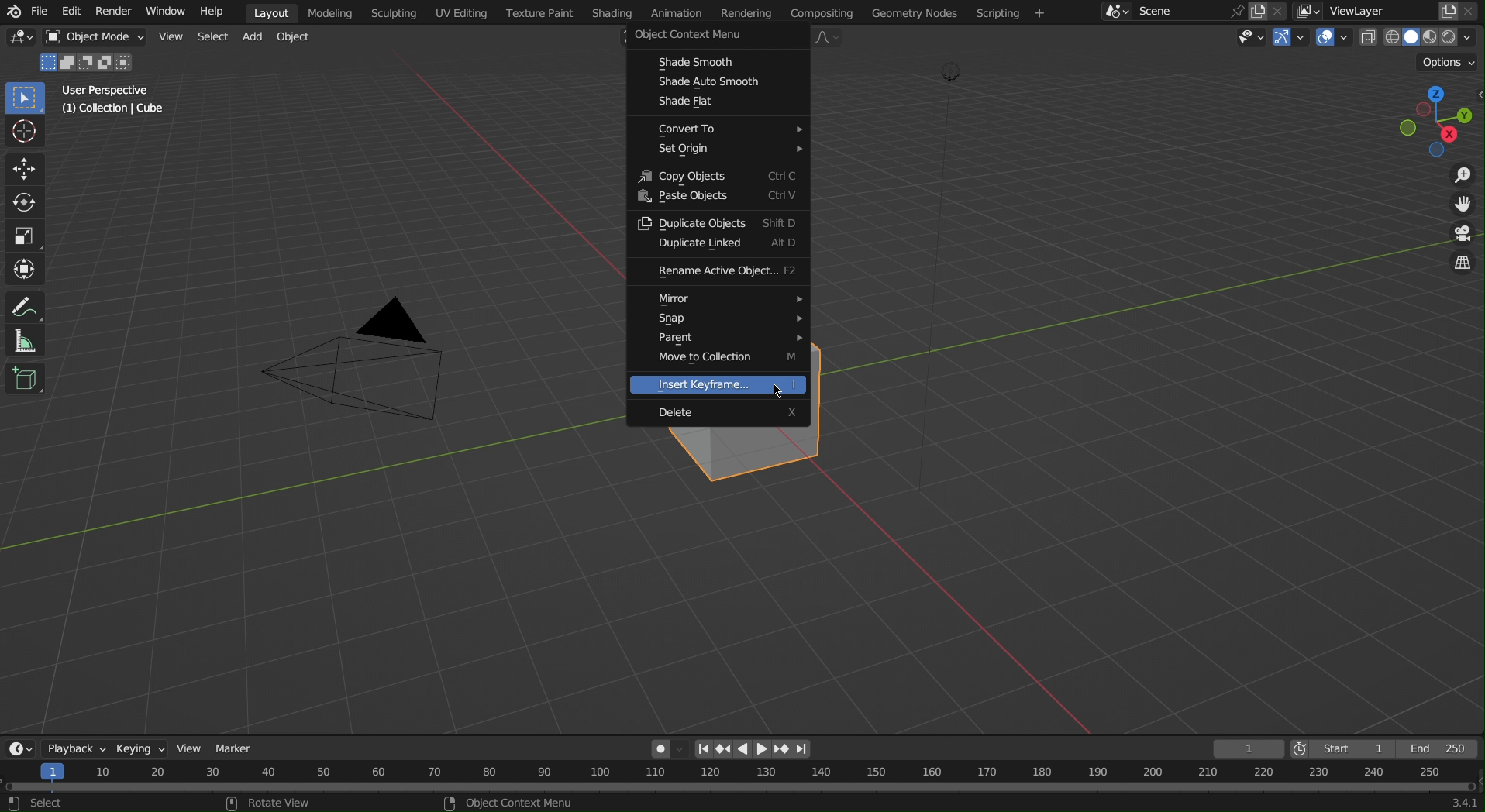 The width and height of the screenshot is (1485, 812). What do you see at coordinates (1443, 10) in the screenshot?
I see `copy layer` at bounding box center [1443, 10].